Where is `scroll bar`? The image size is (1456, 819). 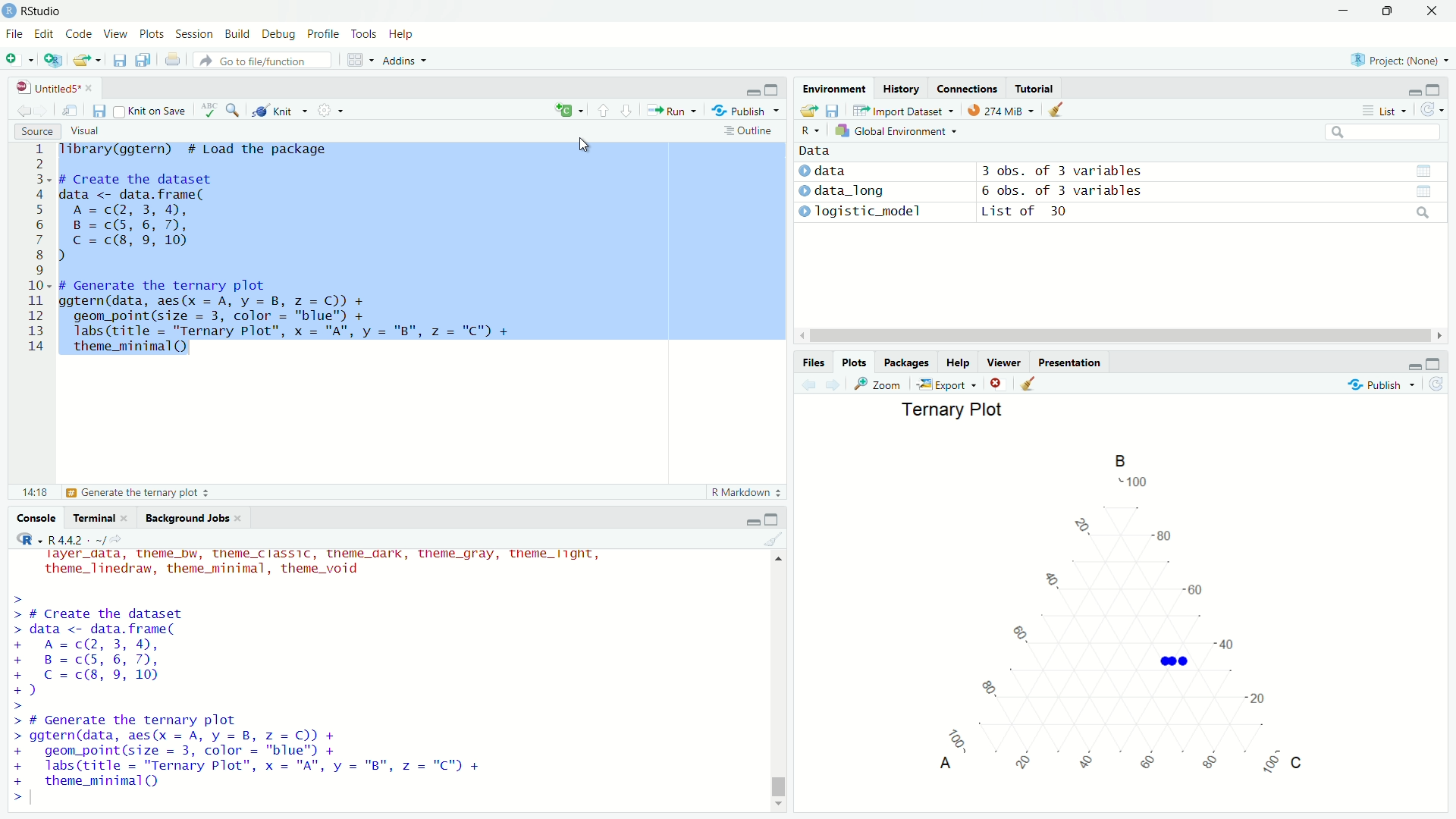 scroll bar is located at coordinates (783, 679).